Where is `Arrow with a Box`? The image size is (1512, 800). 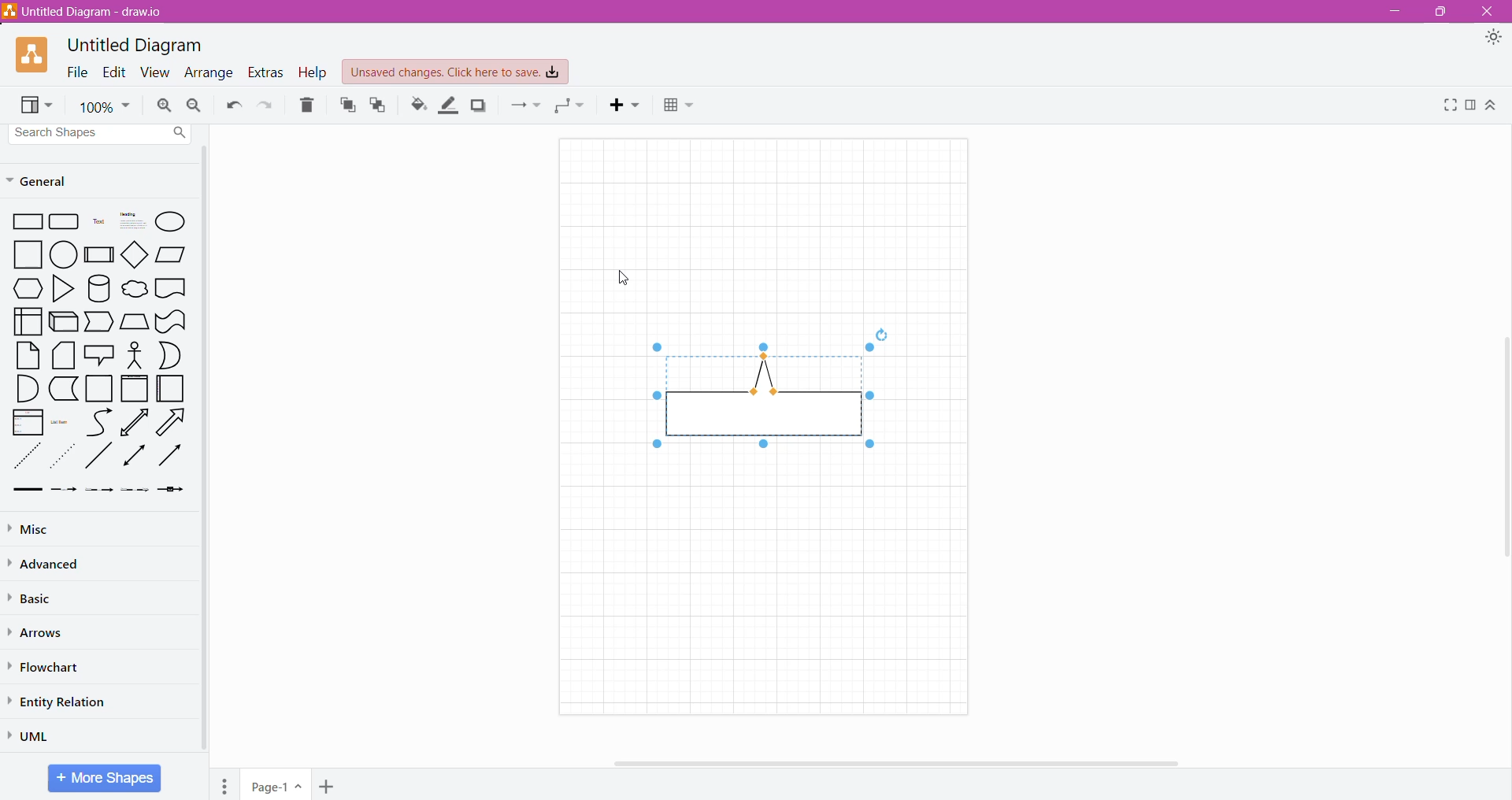 Arrow with a Box is located at coordinates (172, 490).